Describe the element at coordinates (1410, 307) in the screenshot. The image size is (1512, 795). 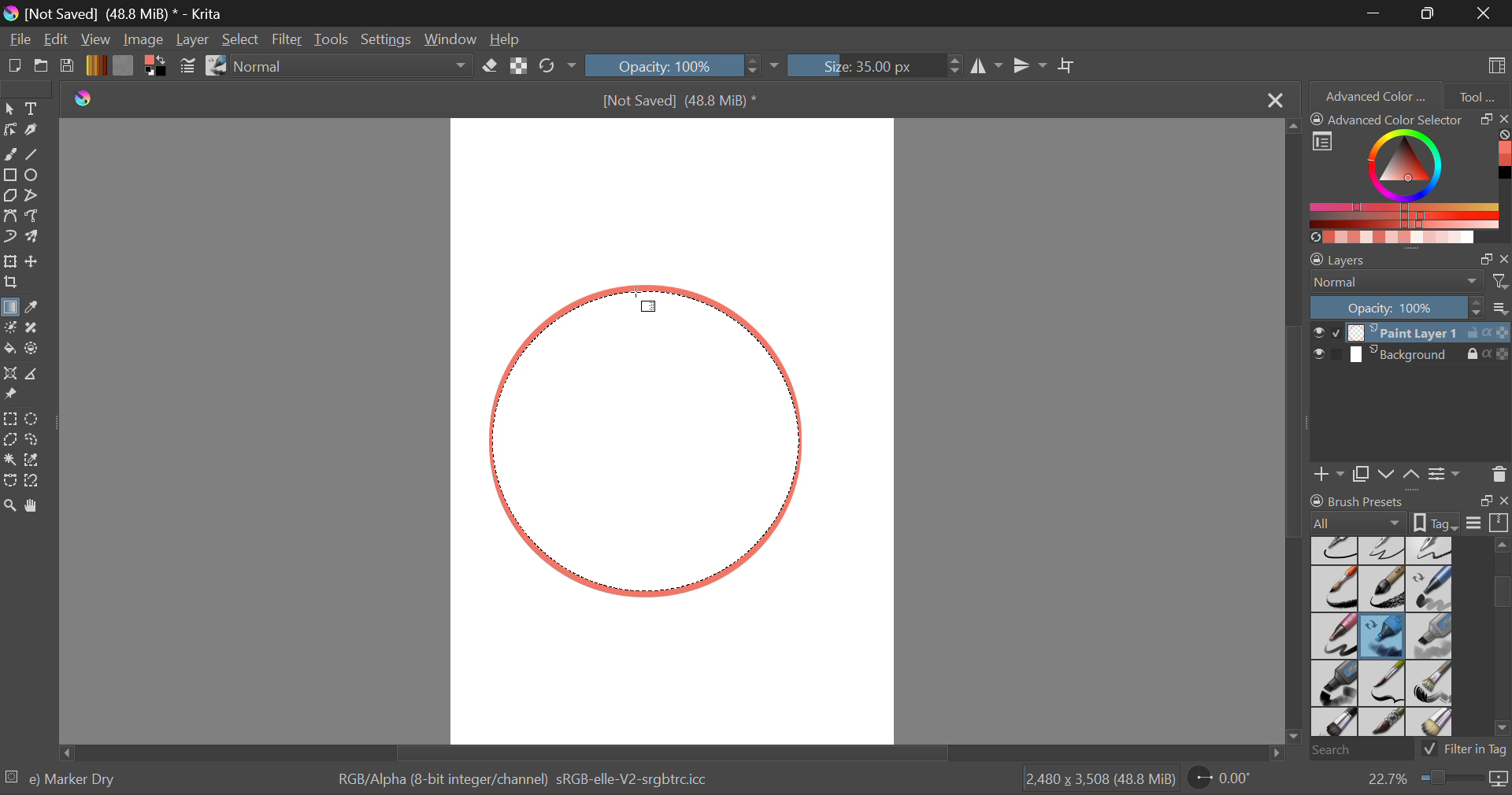
I see `Layer Opacity` at that location.